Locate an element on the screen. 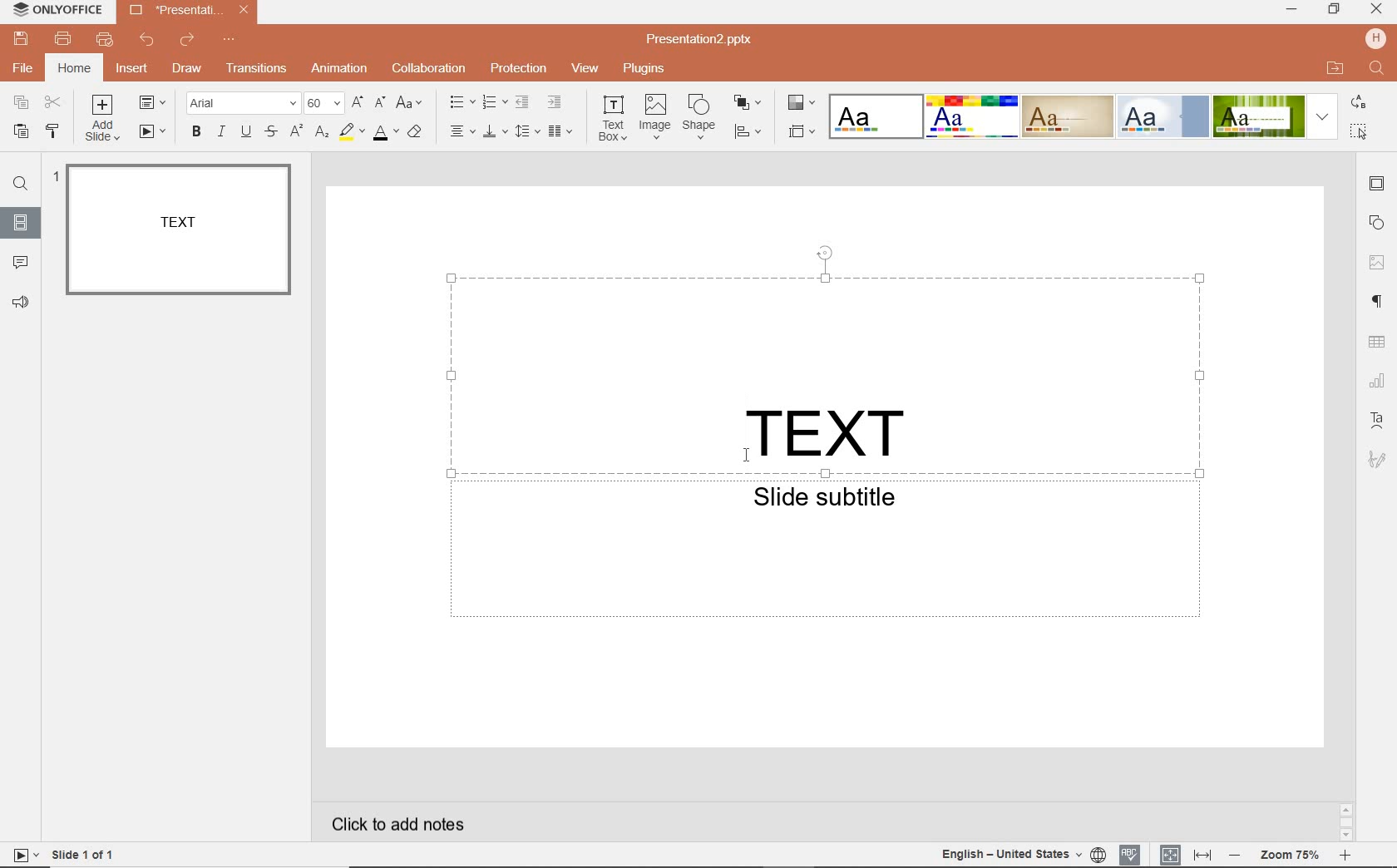  HIGHLIGHT COLOR is located at coordinates (349, 133).